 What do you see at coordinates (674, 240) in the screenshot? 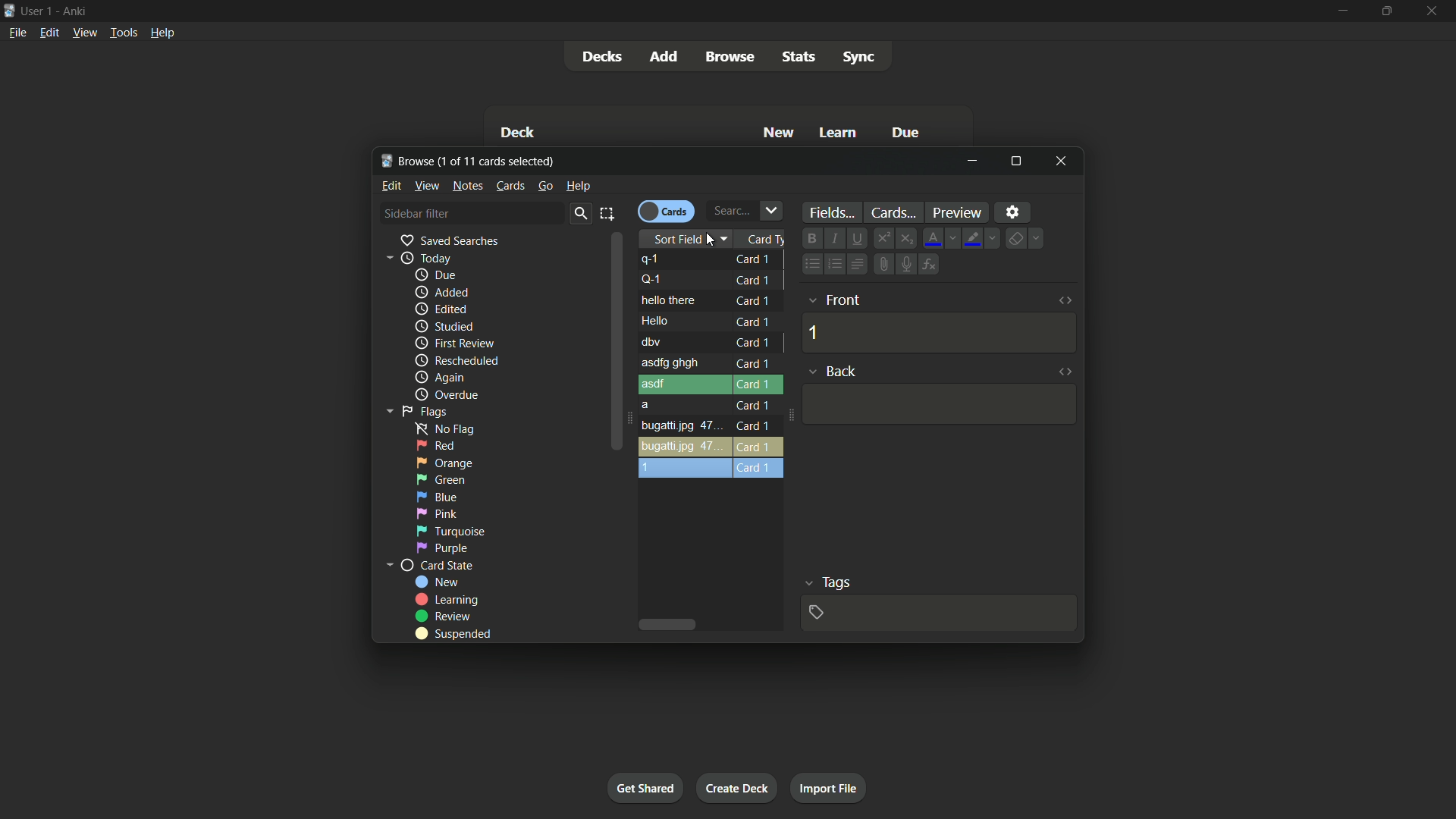
I see `sort field` at bounding box center [674, 240].